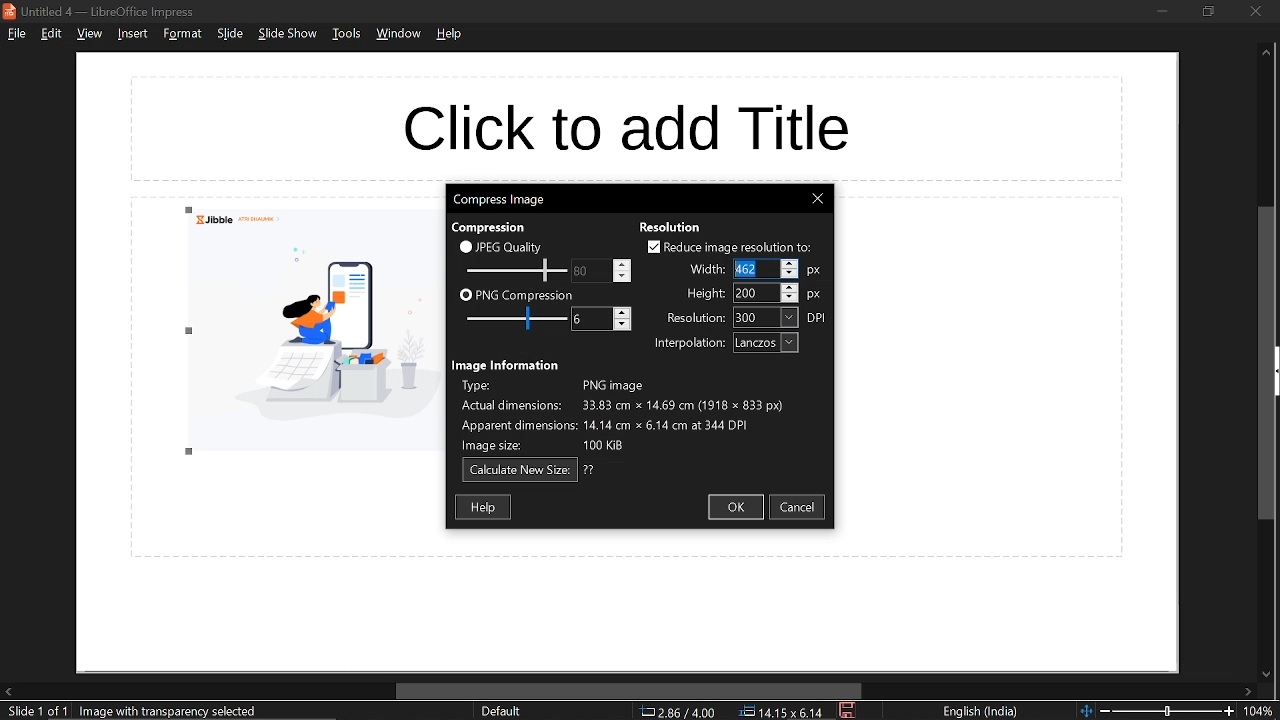 Image resolution: width=1280 pixels, height=720 pixels. Describe the element at coordinates (130, 33) in the screenshot. I see `insert` at that location.